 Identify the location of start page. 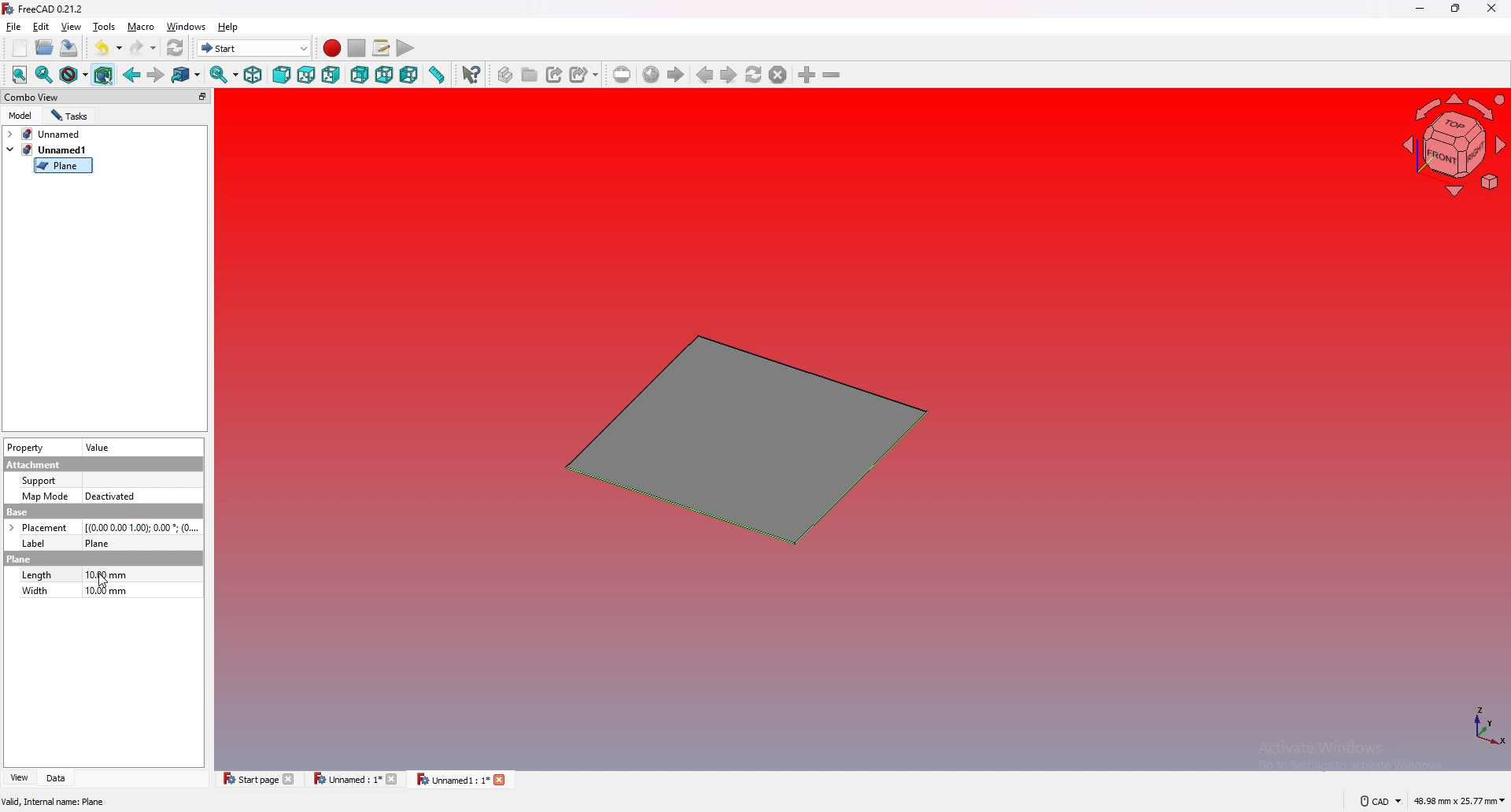
(675, 75).